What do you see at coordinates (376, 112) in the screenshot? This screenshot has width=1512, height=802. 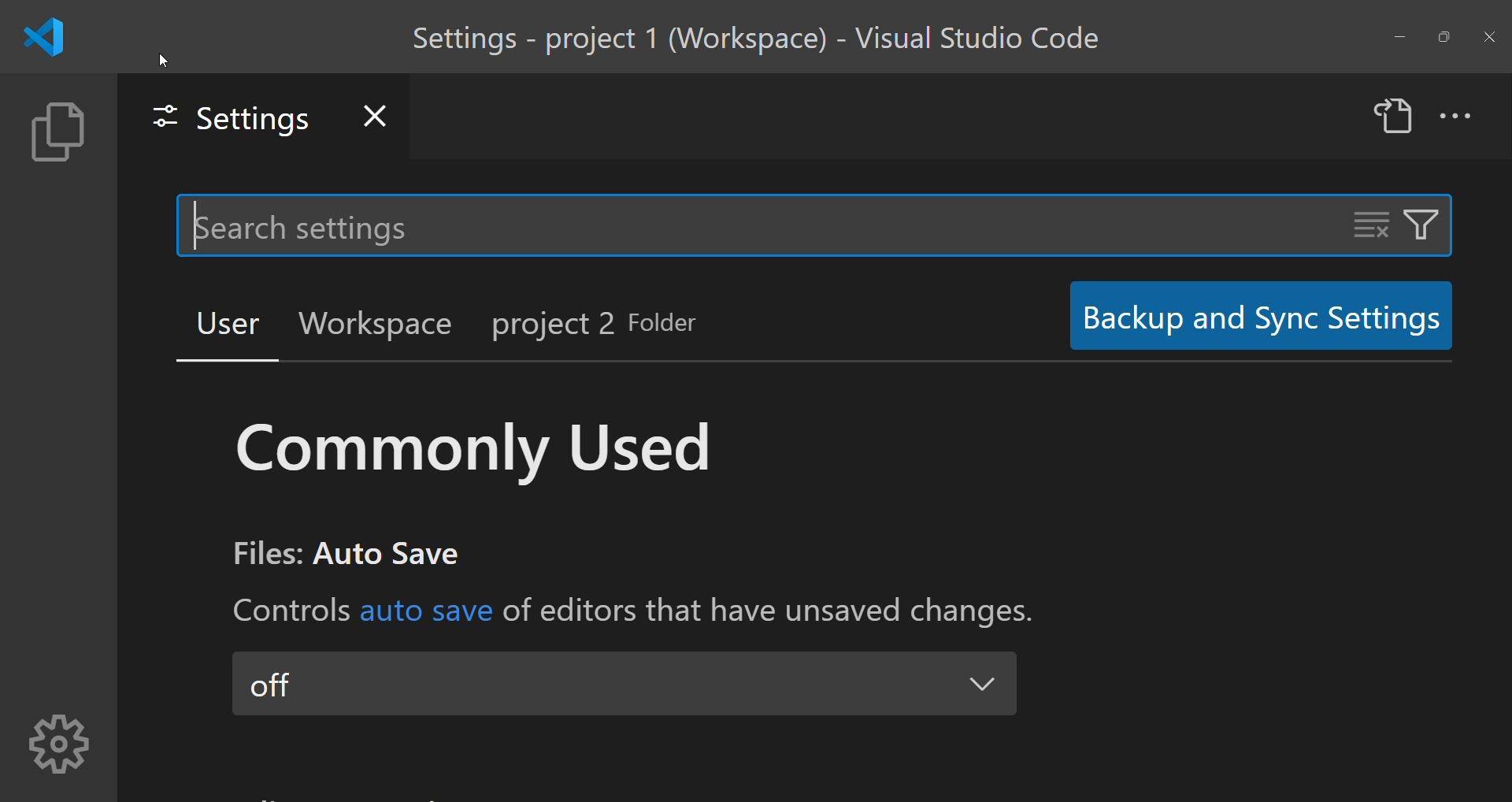 I see `close settings` at bounding box center [376, 112].